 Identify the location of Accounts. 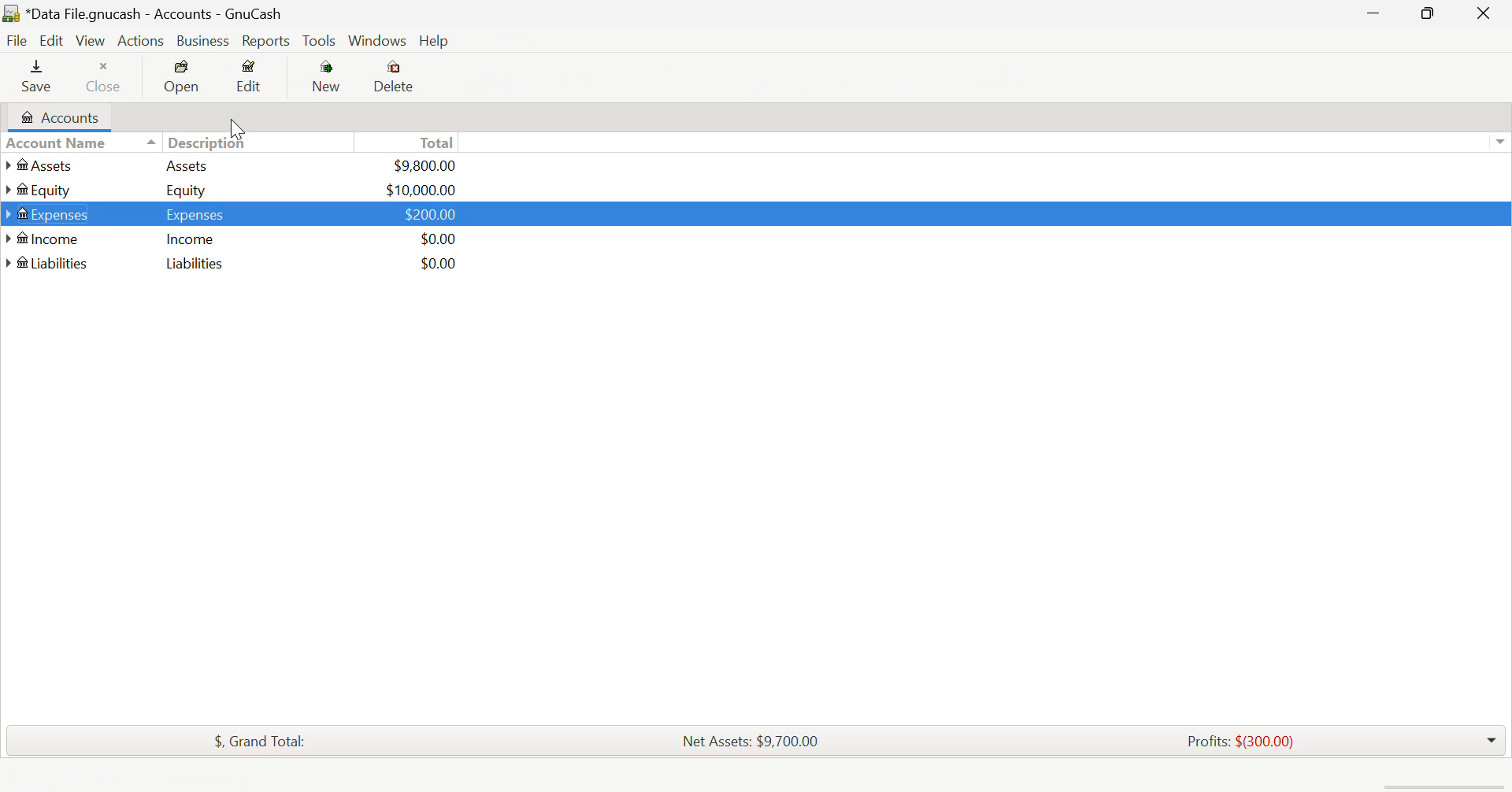
(57, 117).